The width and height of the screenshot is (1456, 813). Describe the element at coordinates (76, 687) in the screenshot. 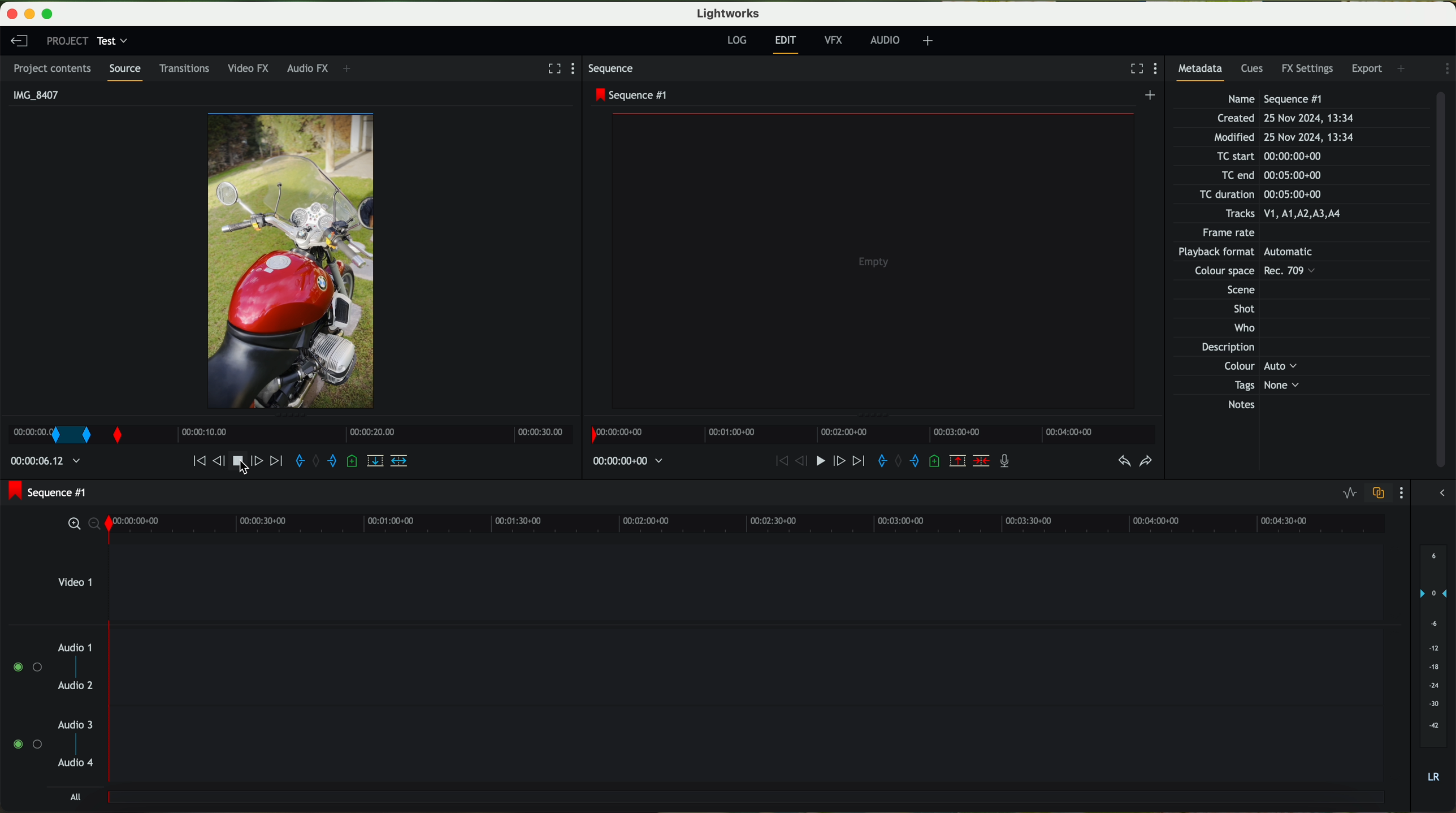

I see `audio 2` at that location.